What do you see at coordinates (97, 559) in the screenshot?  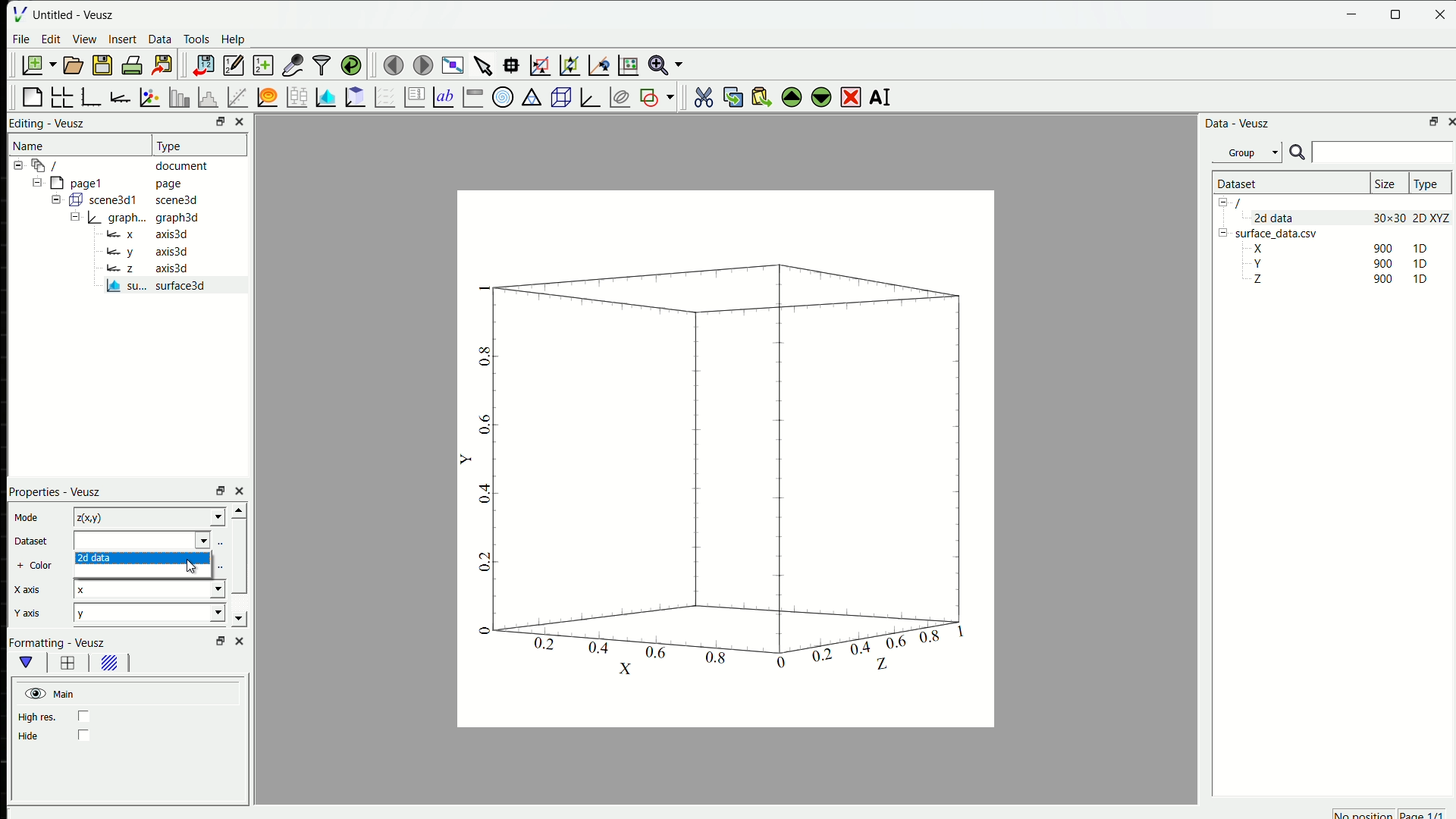 I see `2d data` at bounding box center [97, 559].